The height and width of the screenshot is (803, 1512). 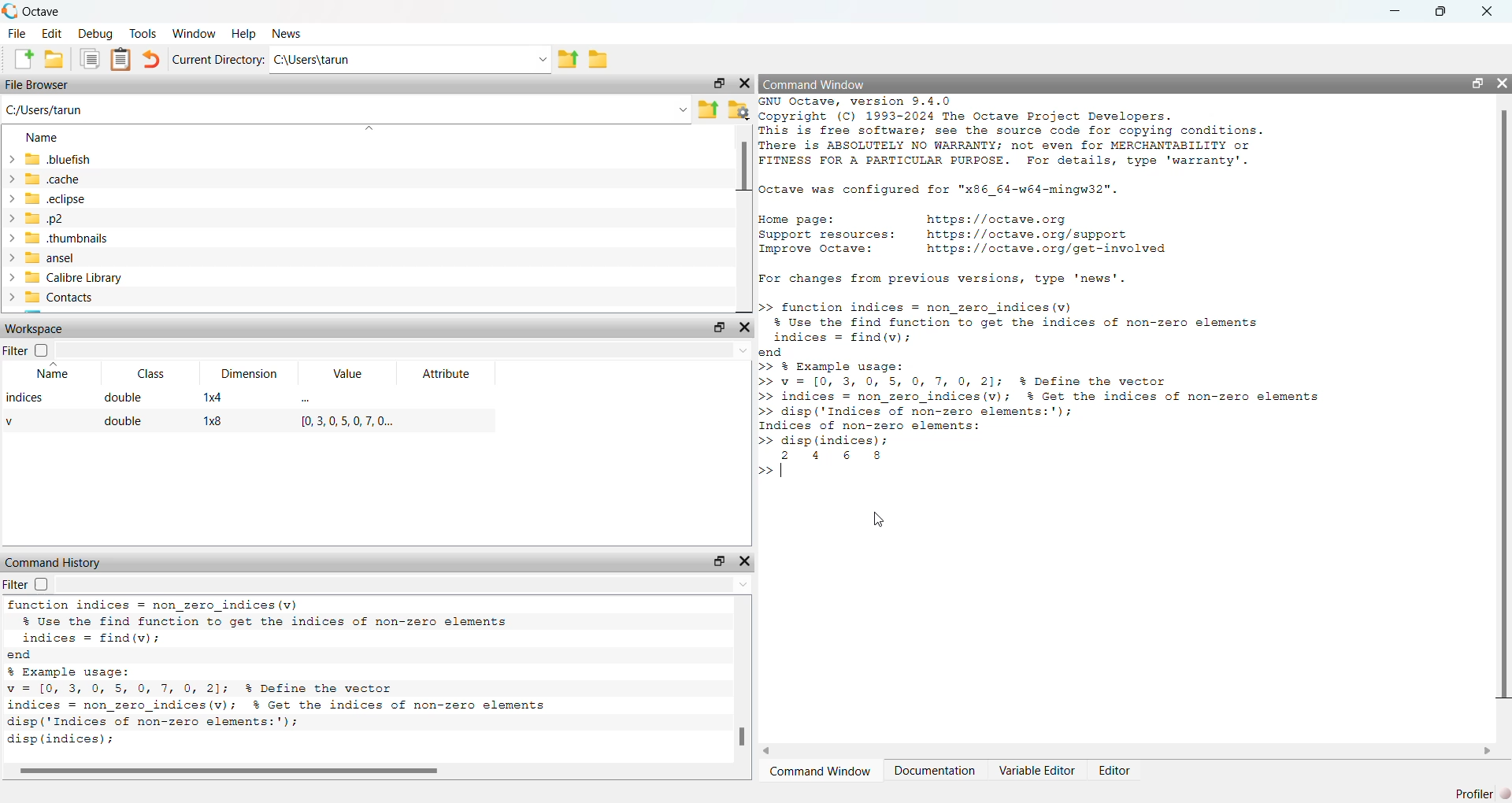 What do you see at coordinates (1477, 83) in the screenshot?
I see `restore down` at bounding box center [1477, 83].